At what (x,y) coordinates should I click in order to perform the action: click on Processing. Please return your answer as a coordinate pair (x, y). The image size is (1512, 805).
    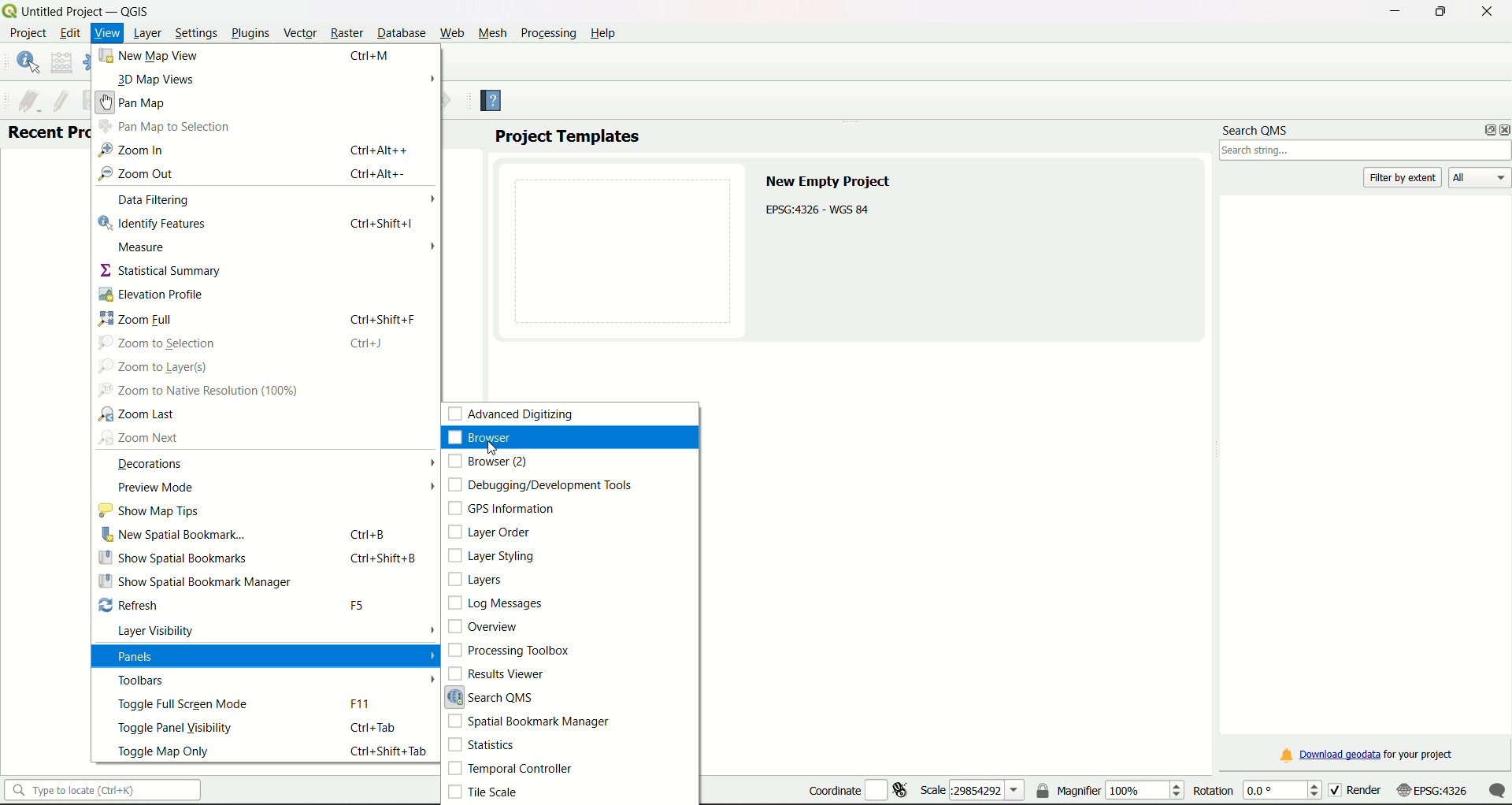
    Looking at the image, I should click on (547, 33).